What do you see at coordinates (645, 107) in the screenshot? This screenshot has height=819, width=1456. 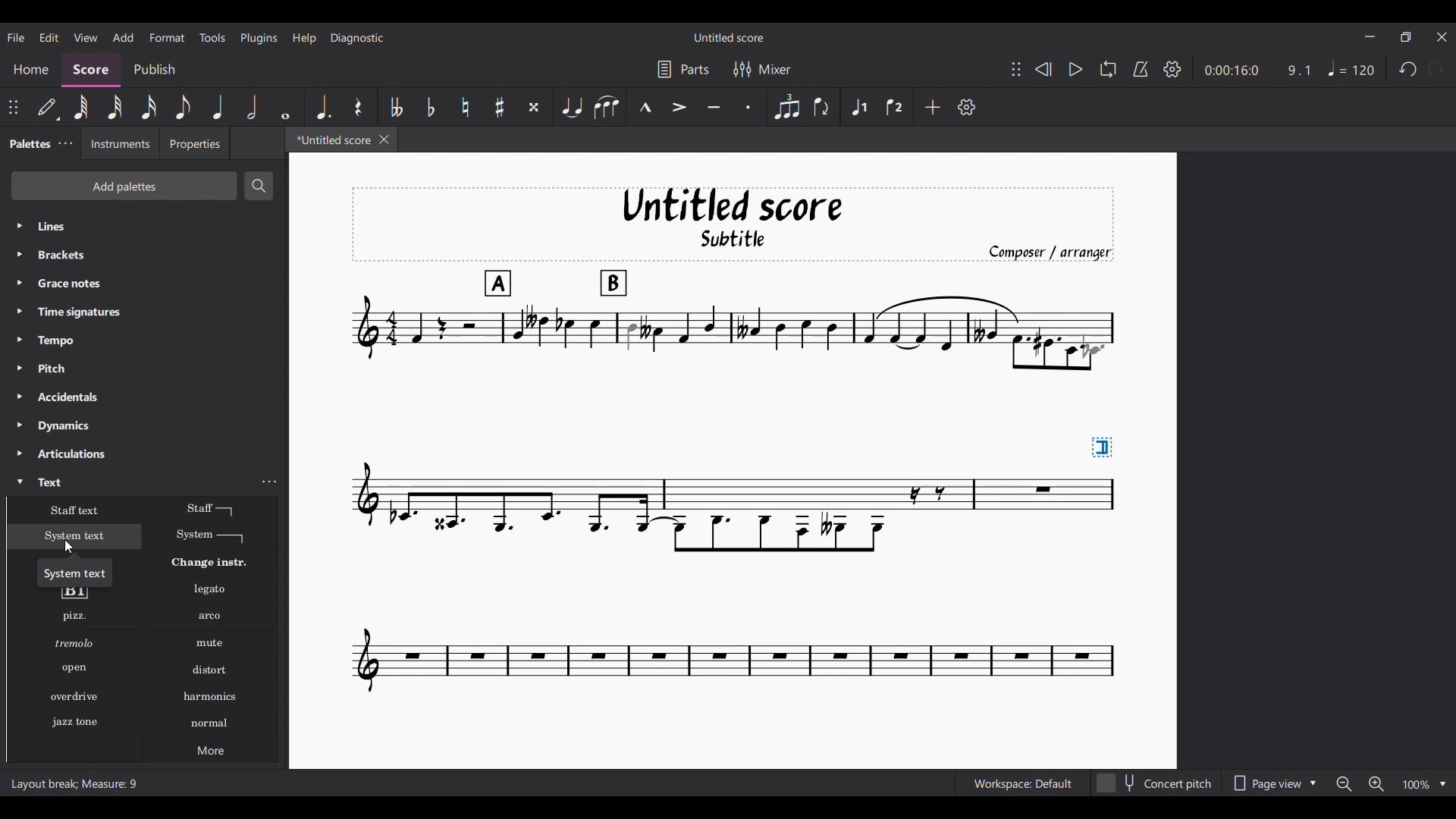 I see `Marcato` at bounding box center [645, 107].